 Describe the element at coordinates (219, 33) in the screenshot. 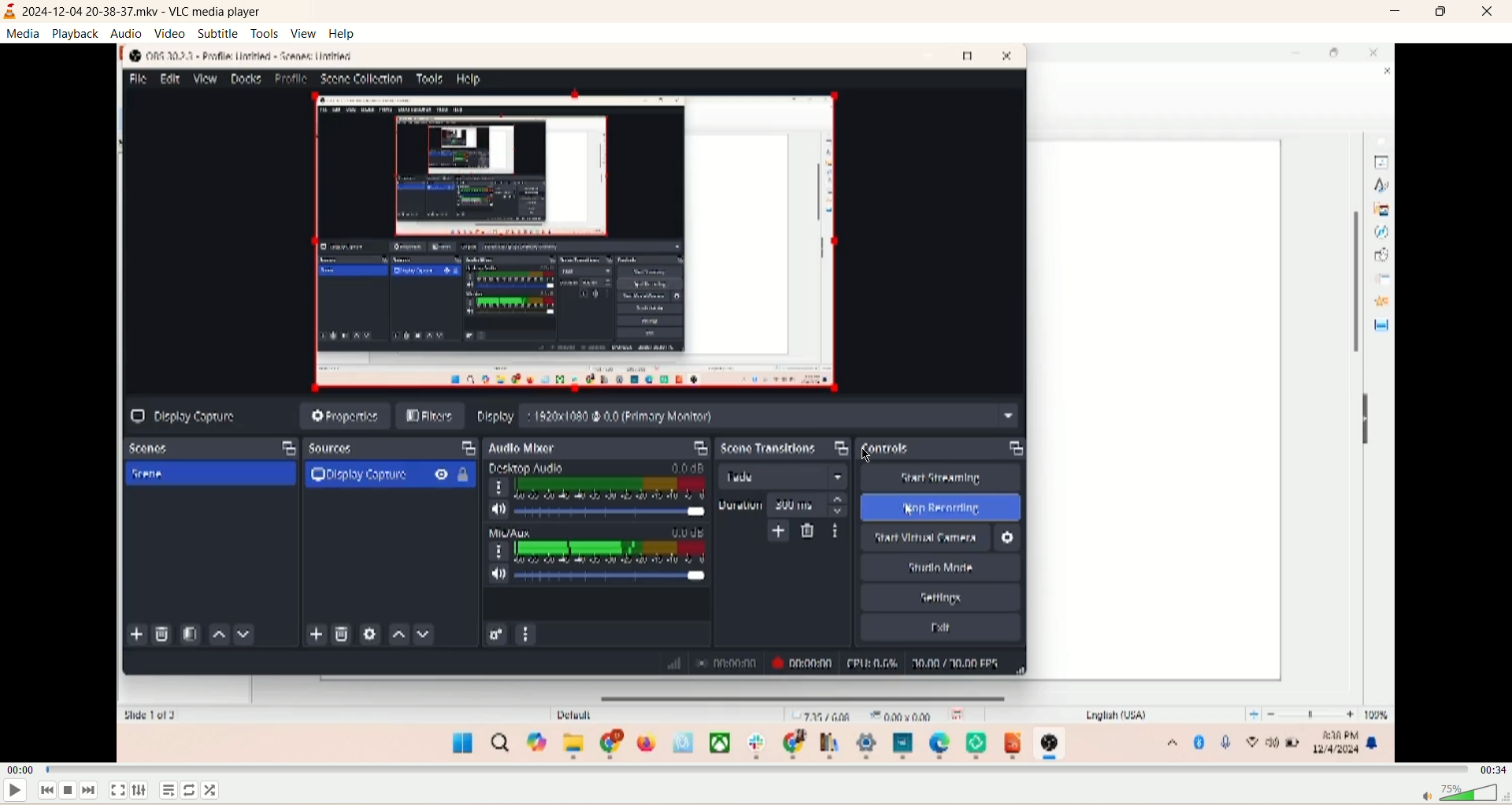

I see `subtitle` at that location.